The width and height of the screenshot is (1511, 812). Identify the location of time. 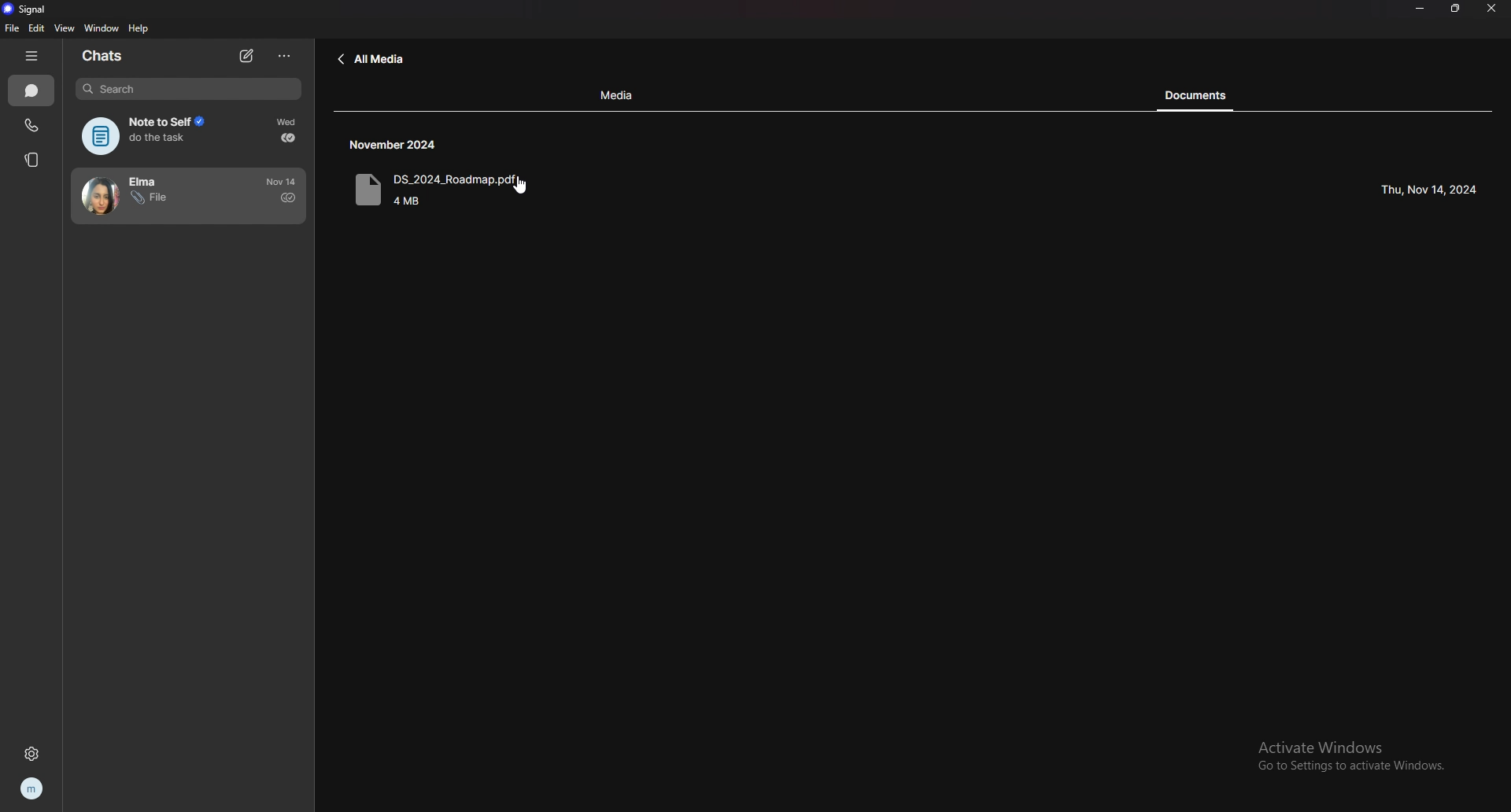
(397, 145).